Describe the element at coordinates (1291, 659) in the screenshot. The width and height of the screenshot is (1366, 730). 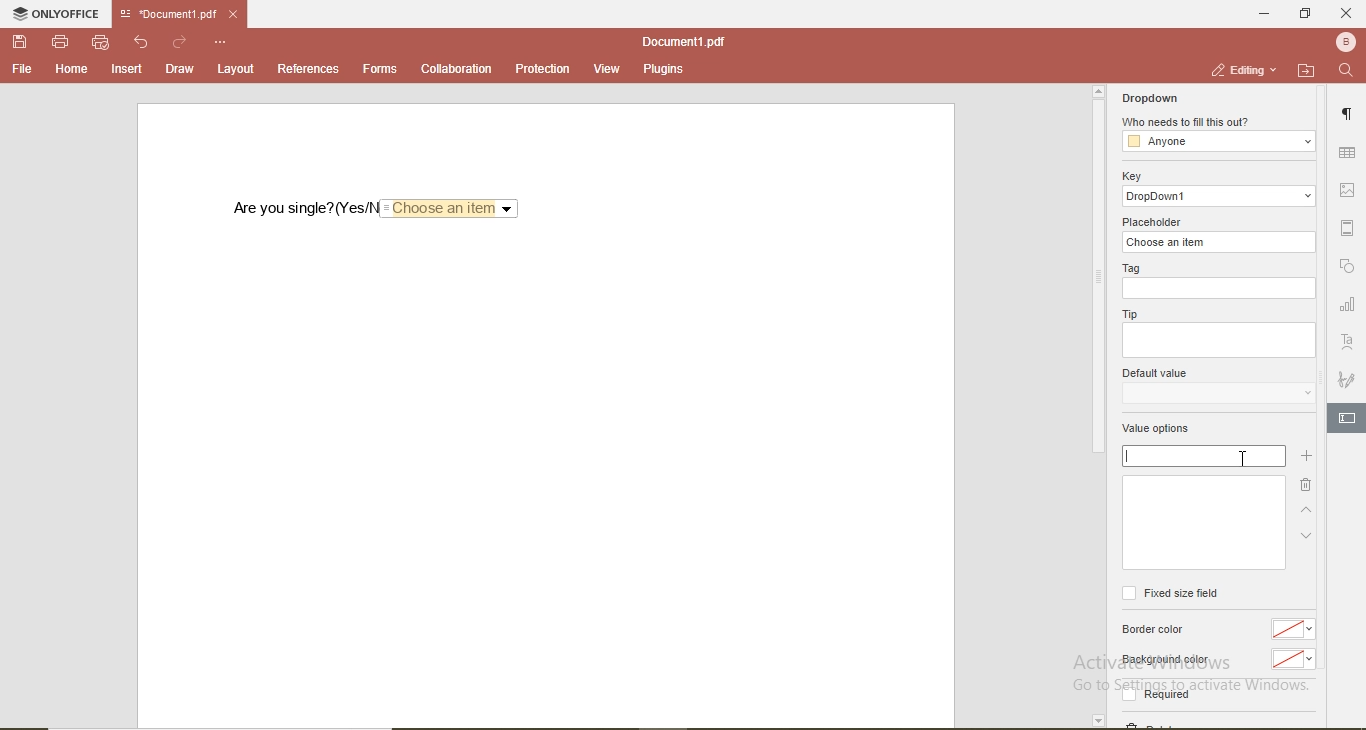
I see `no color` at that location.